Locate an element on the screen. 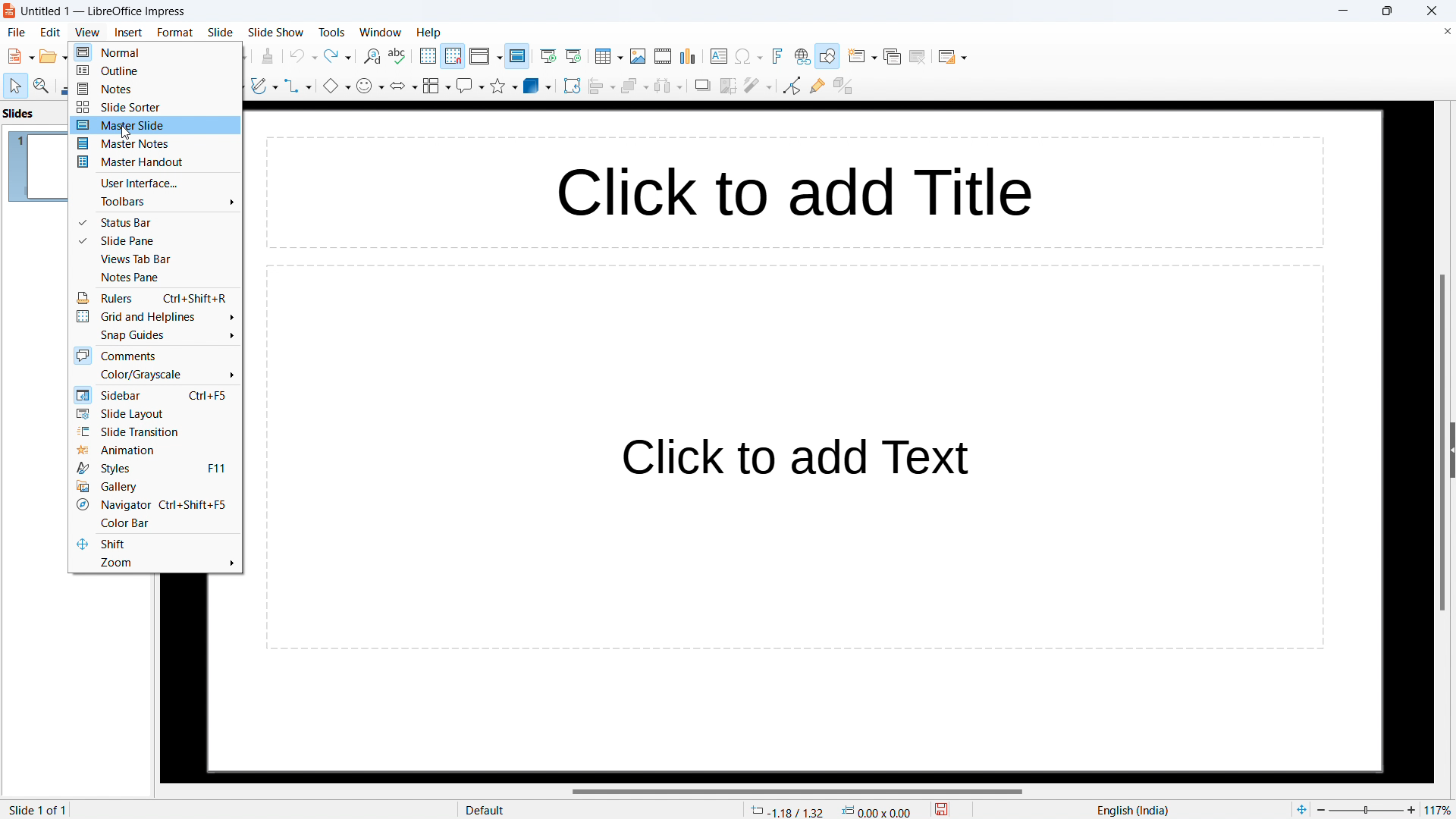 The height and width of the screenshot is (819, 1456). maximize is located at coordinates (1386, 11).